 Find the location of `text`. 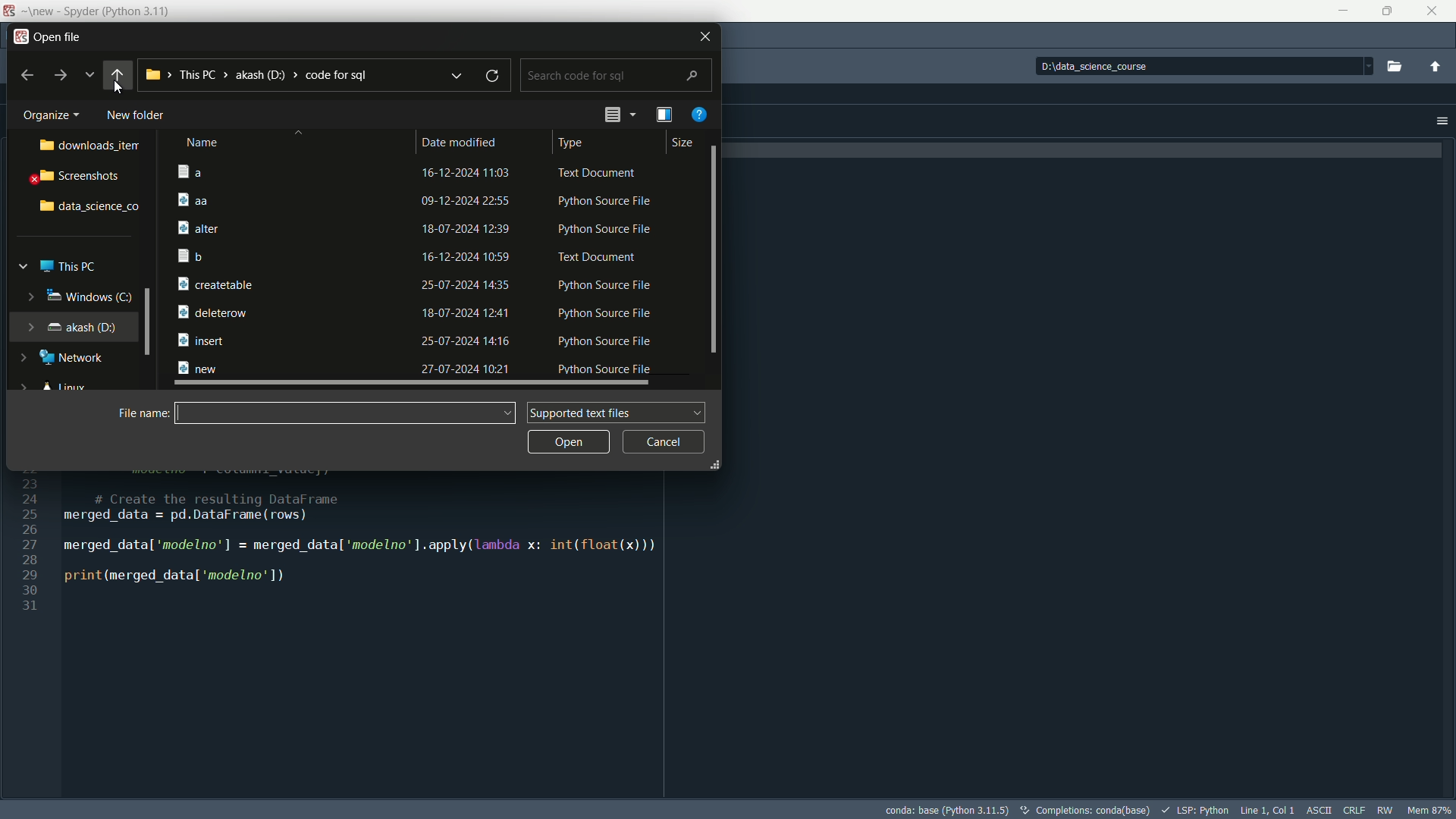

text is located at coordinates (1083, 811).